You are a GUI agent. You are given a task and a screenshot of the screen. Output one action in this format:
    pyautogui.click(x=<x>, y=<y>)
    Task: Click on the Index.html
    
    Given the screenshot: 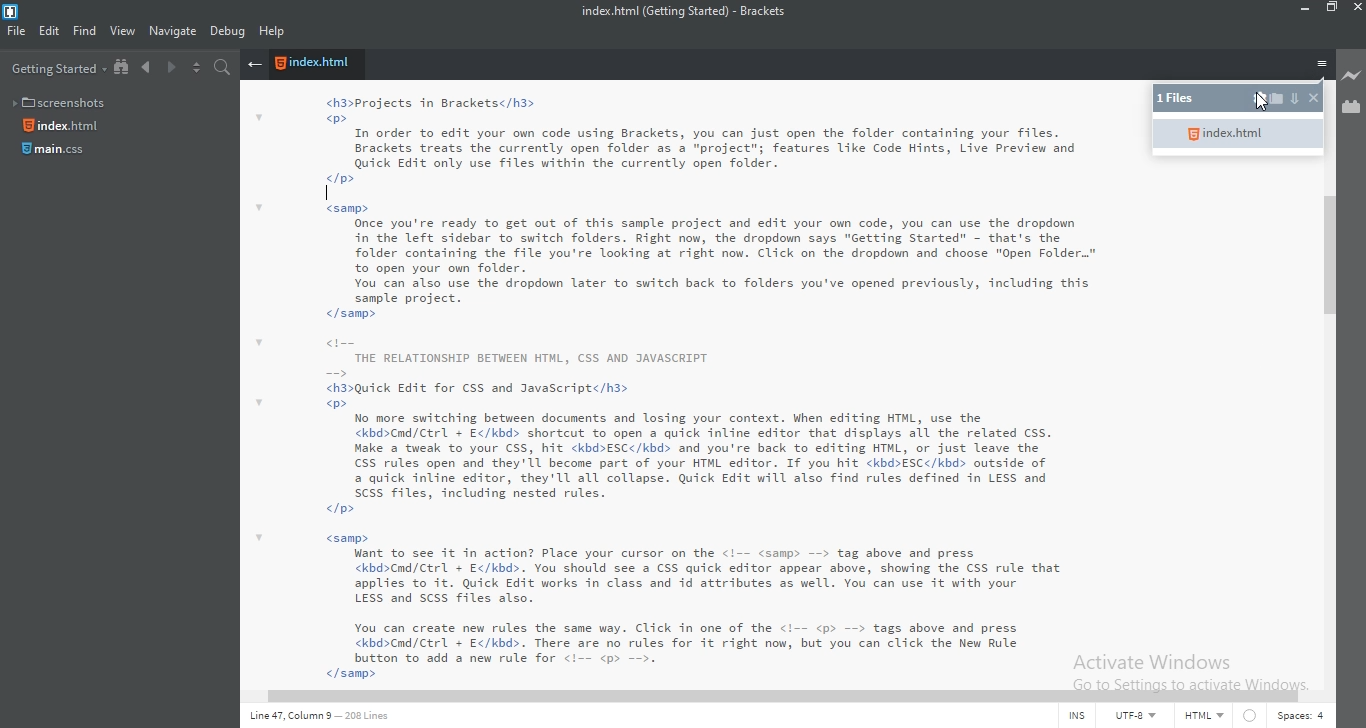 What is the action you would take?
    pyautogui.click(x=64, y=126)
    